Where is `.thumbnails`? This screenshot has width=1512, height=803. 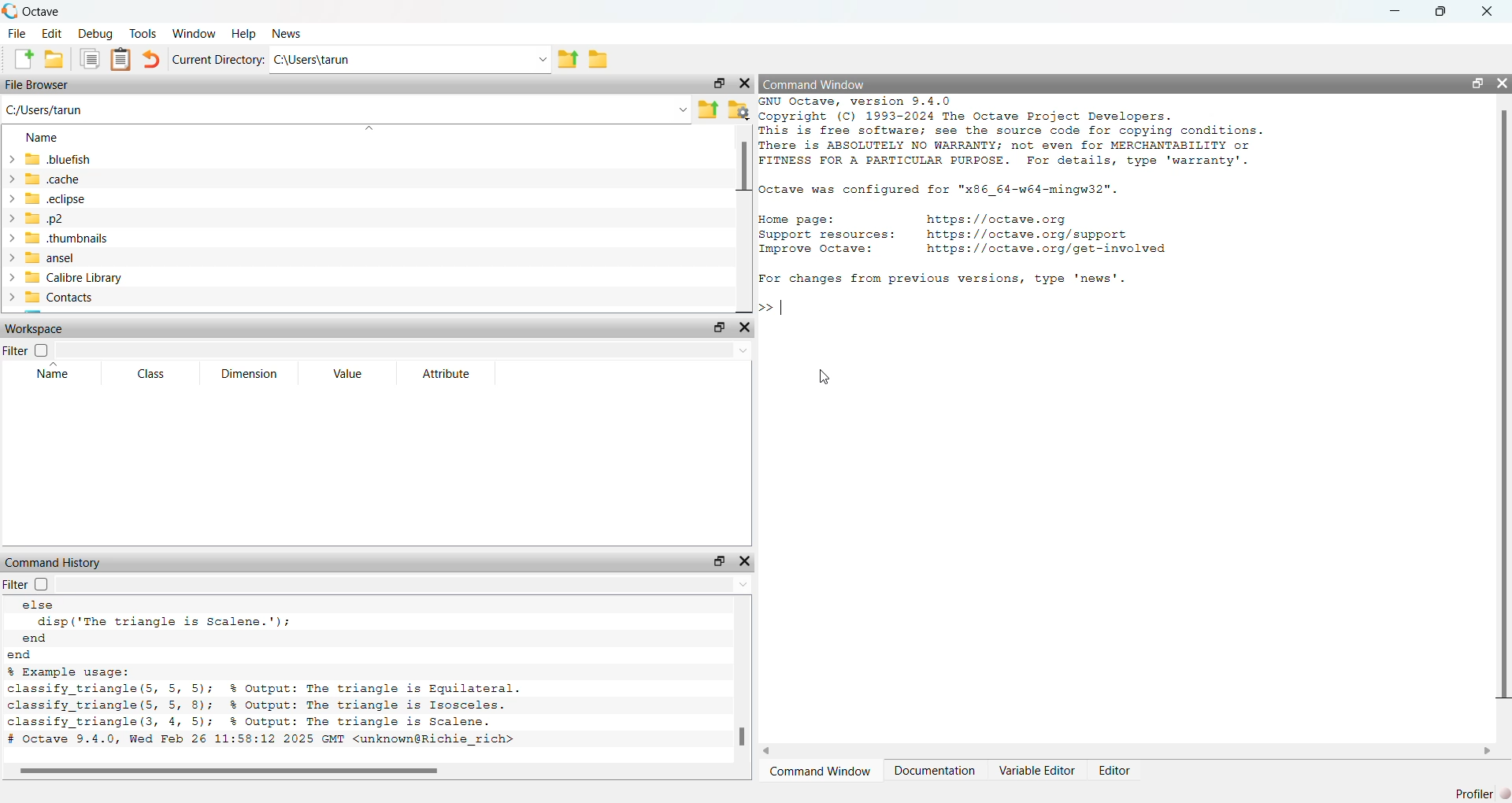
.thumbnails is located at coordinates (71, 239).